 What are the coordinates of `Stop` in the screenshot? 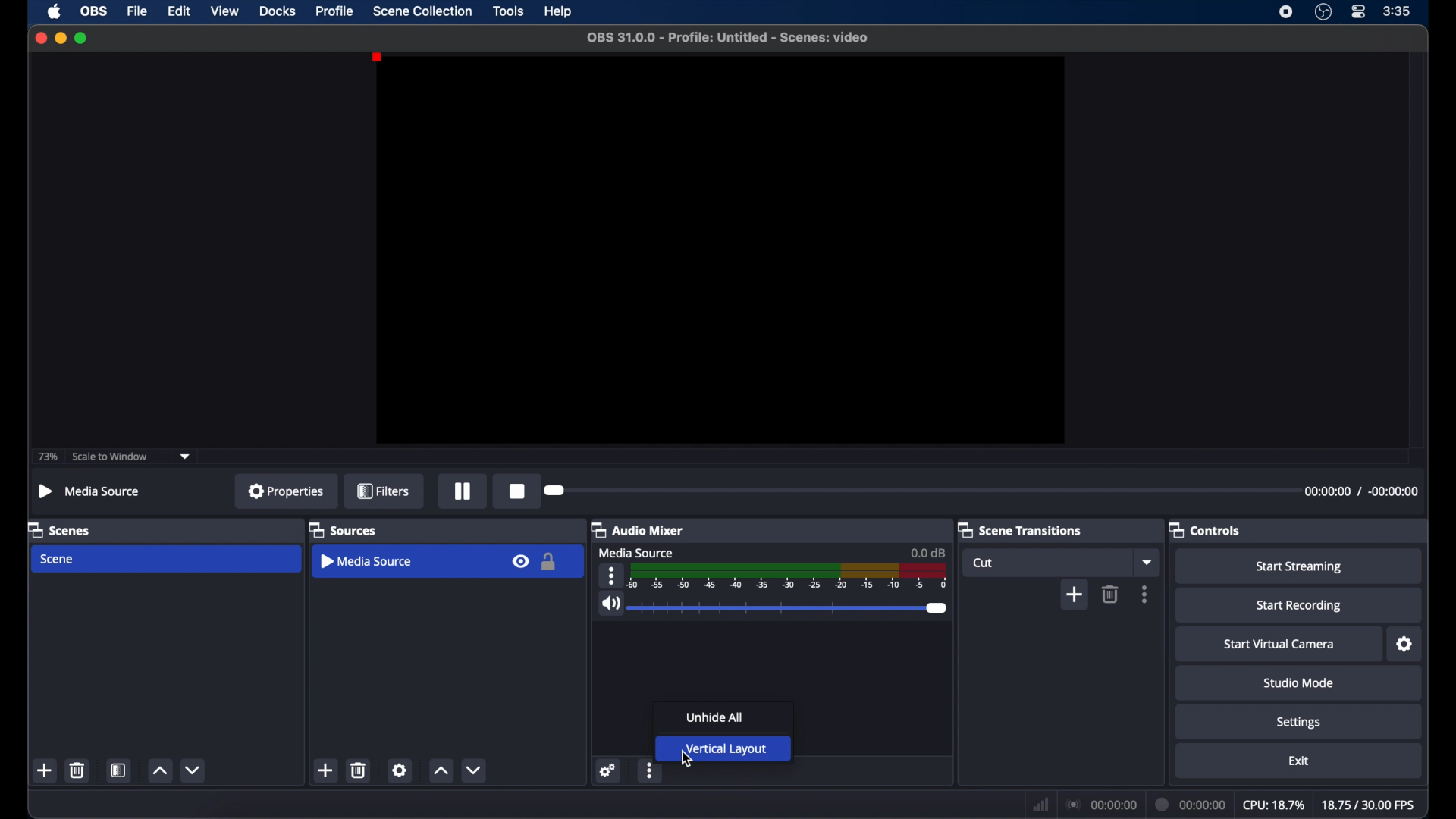 It's located at (513, 491).